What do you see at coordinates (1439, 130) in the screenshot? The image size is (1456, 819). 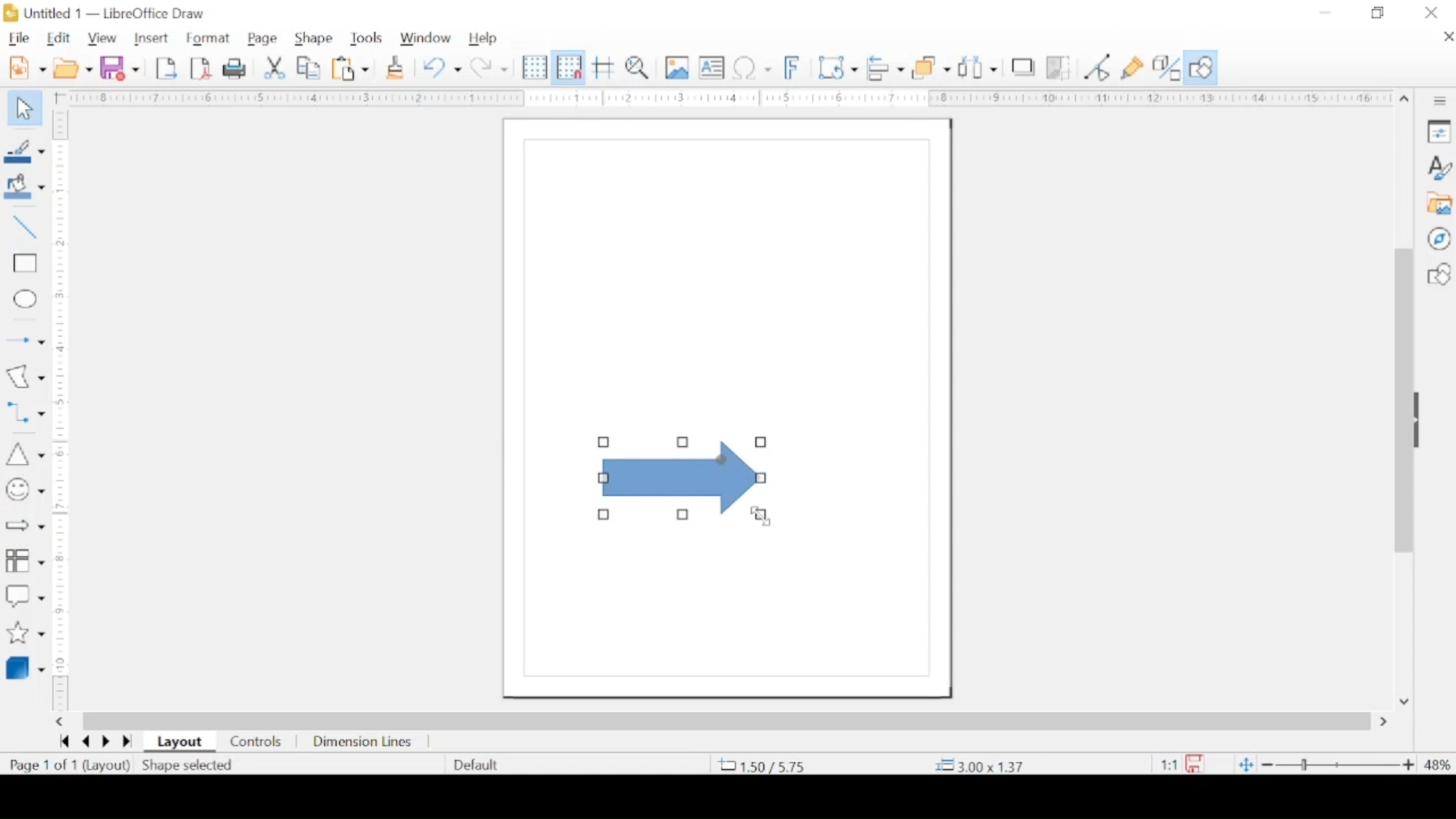 I see `properties` at bounding box center [1439, 130].